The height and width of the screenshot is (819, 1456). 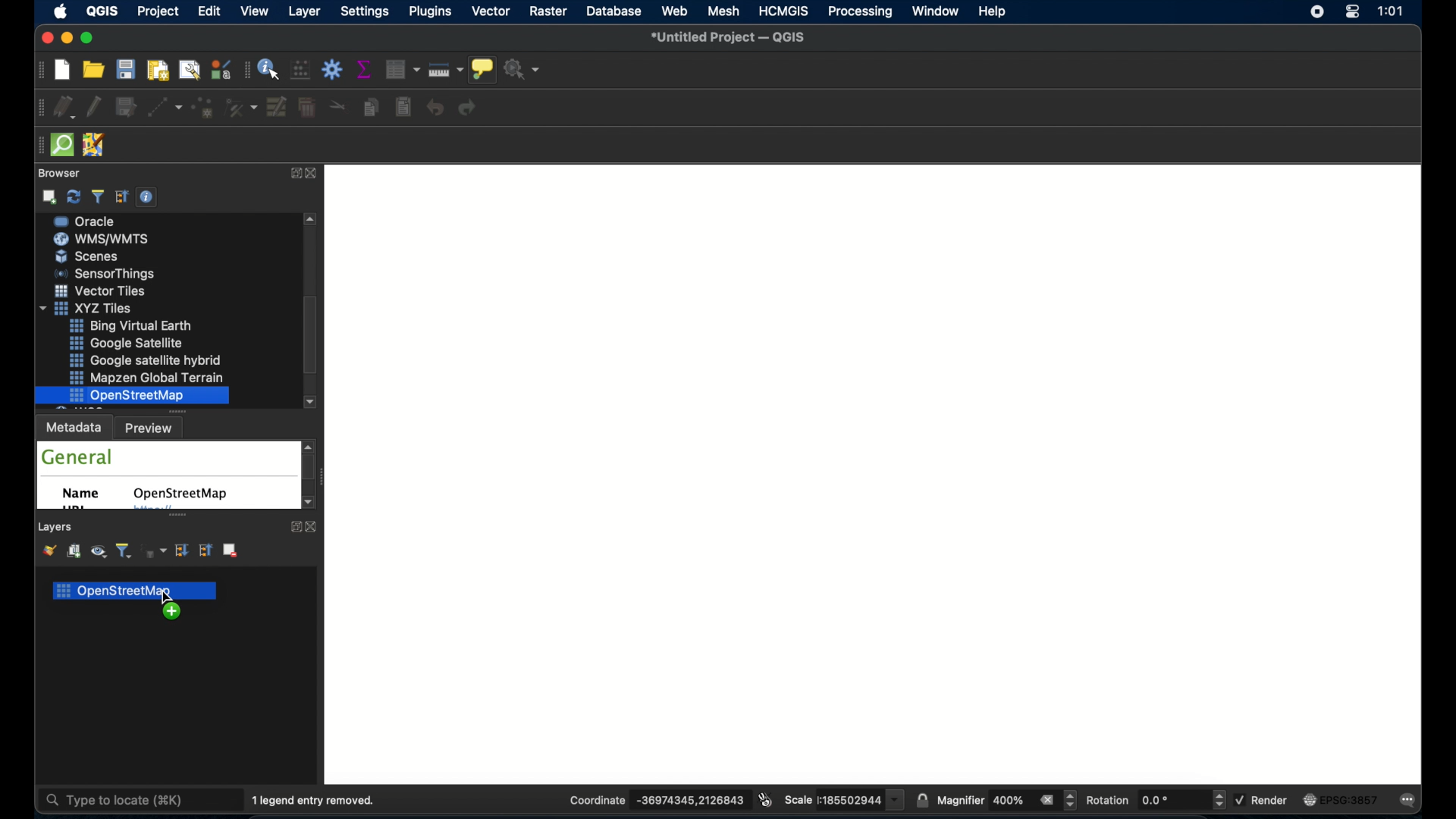 What do you see at coordinates (934, 11) in the screenshot?
I see `window` at bounding box center [934, 11].